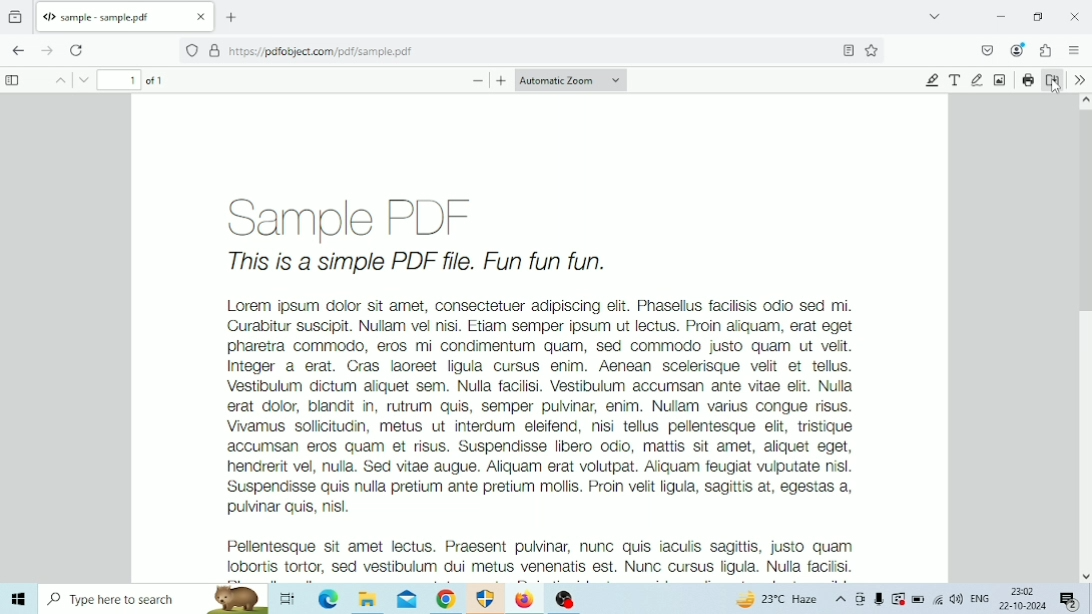 This screenshot has height=614, width=1092. I want to click on Speakers, so click(957, 600).